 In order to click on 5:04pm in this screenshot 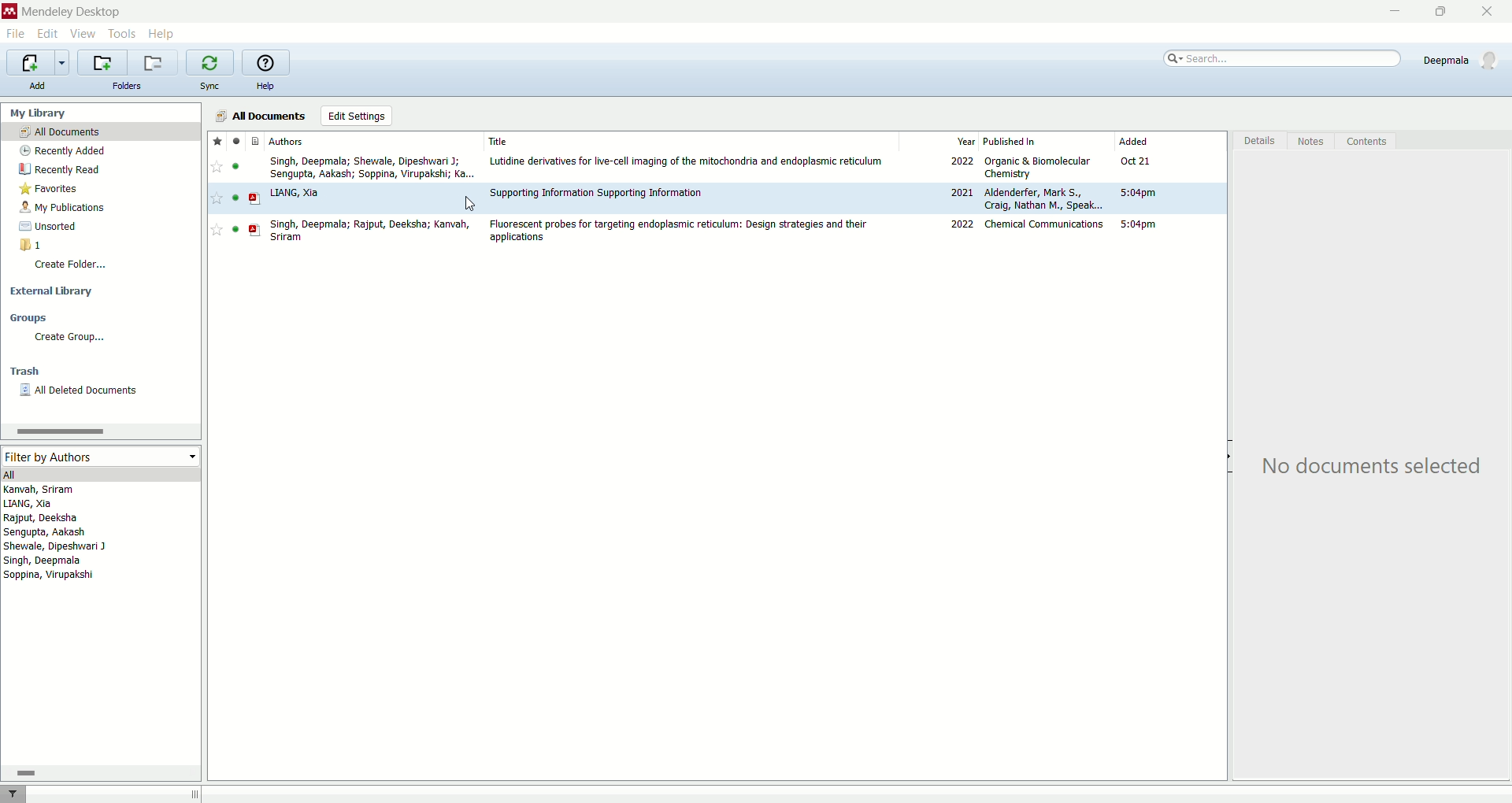, I will do `click(1138, 224)`.